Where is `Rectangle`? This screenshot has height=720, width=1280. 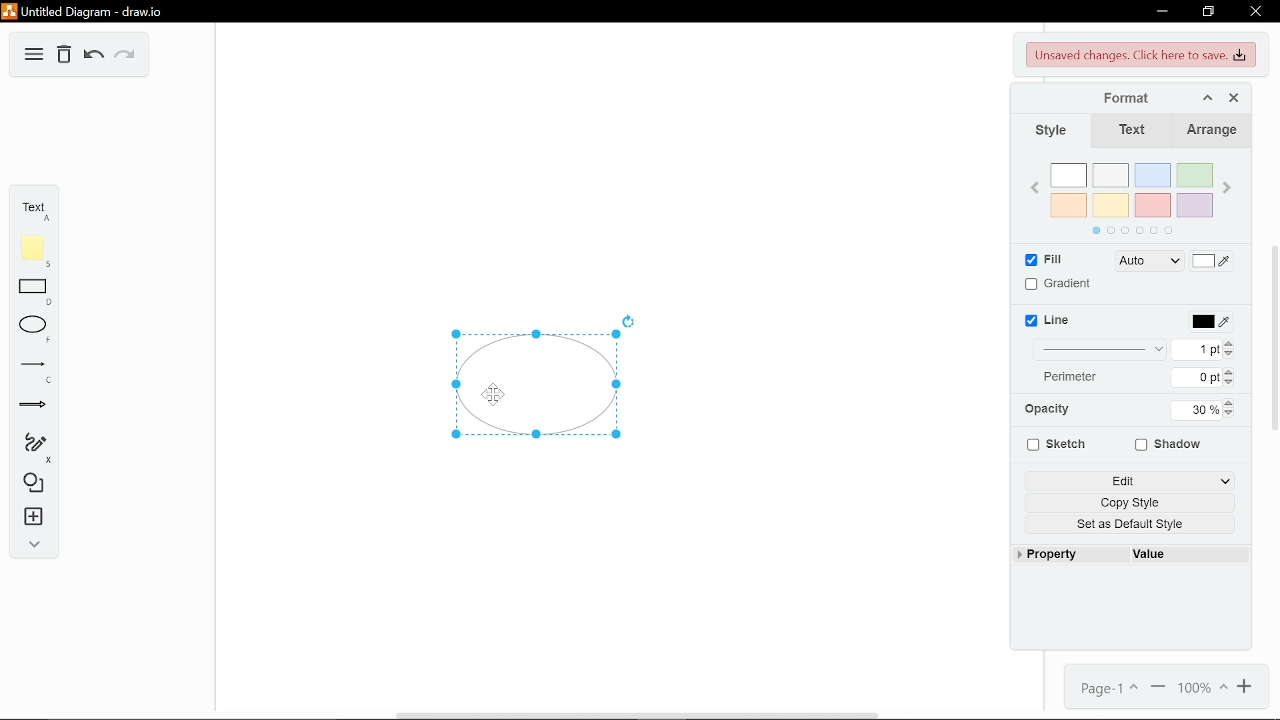 Rectangle is located at coordinates (34, 288).